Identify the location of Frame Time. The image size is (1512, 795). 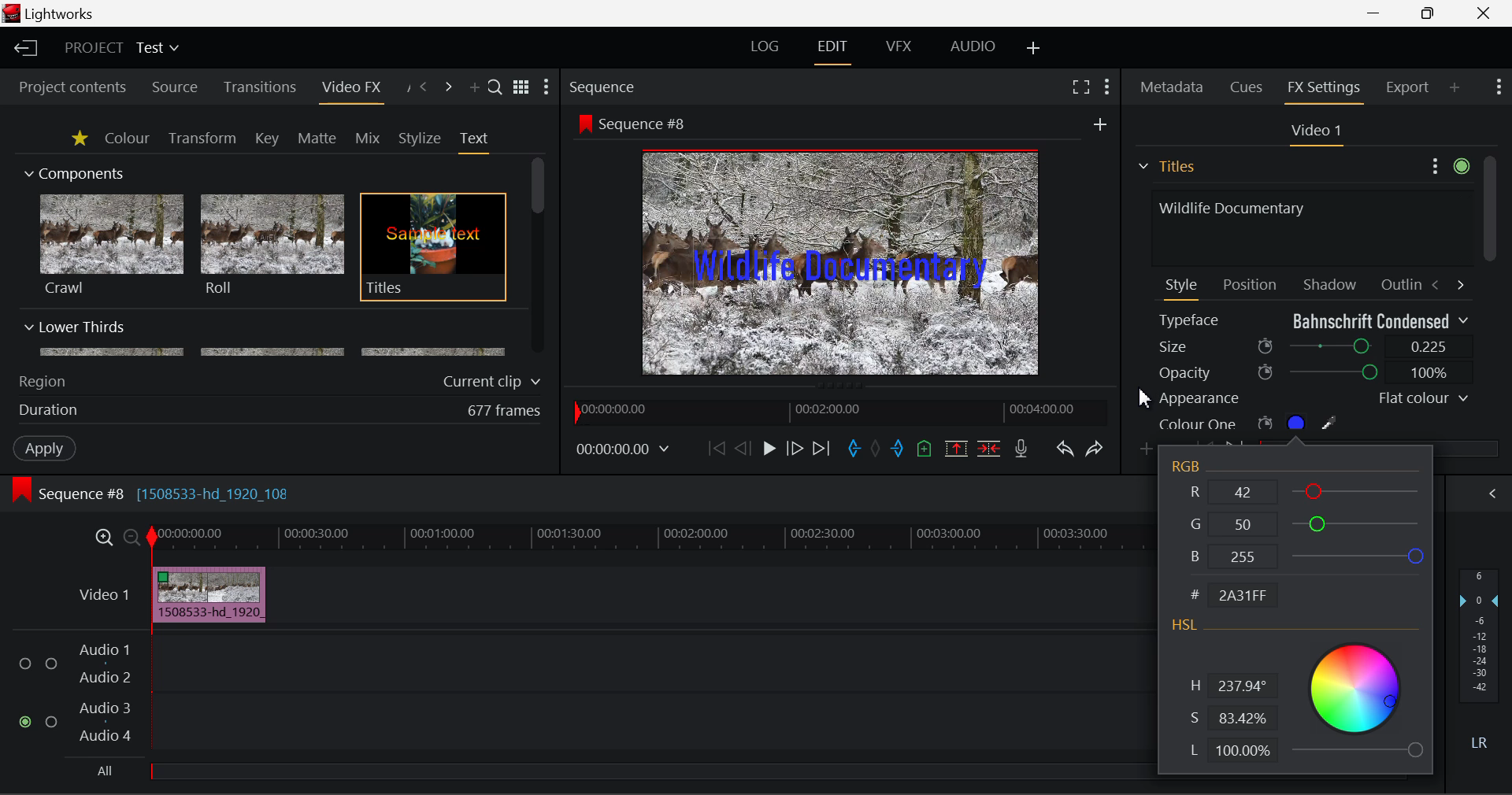
(624, 451).